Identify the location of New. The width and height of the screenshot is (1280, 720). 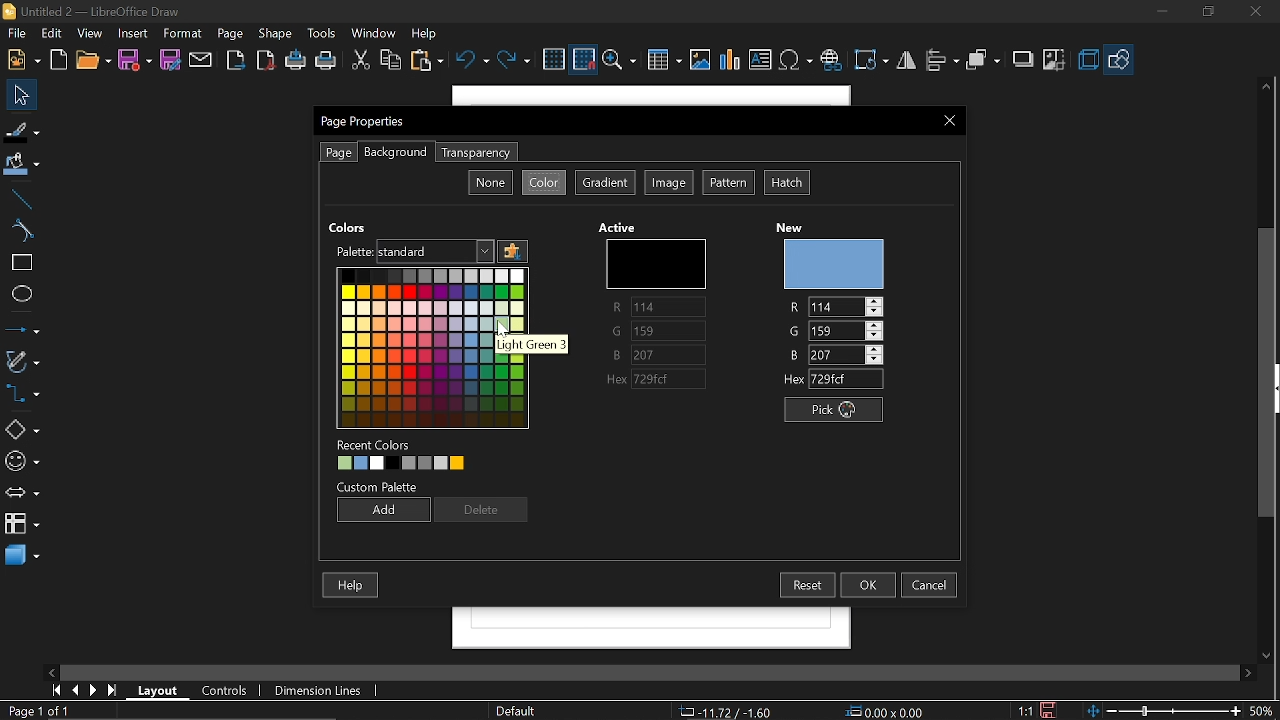
(796, 224).